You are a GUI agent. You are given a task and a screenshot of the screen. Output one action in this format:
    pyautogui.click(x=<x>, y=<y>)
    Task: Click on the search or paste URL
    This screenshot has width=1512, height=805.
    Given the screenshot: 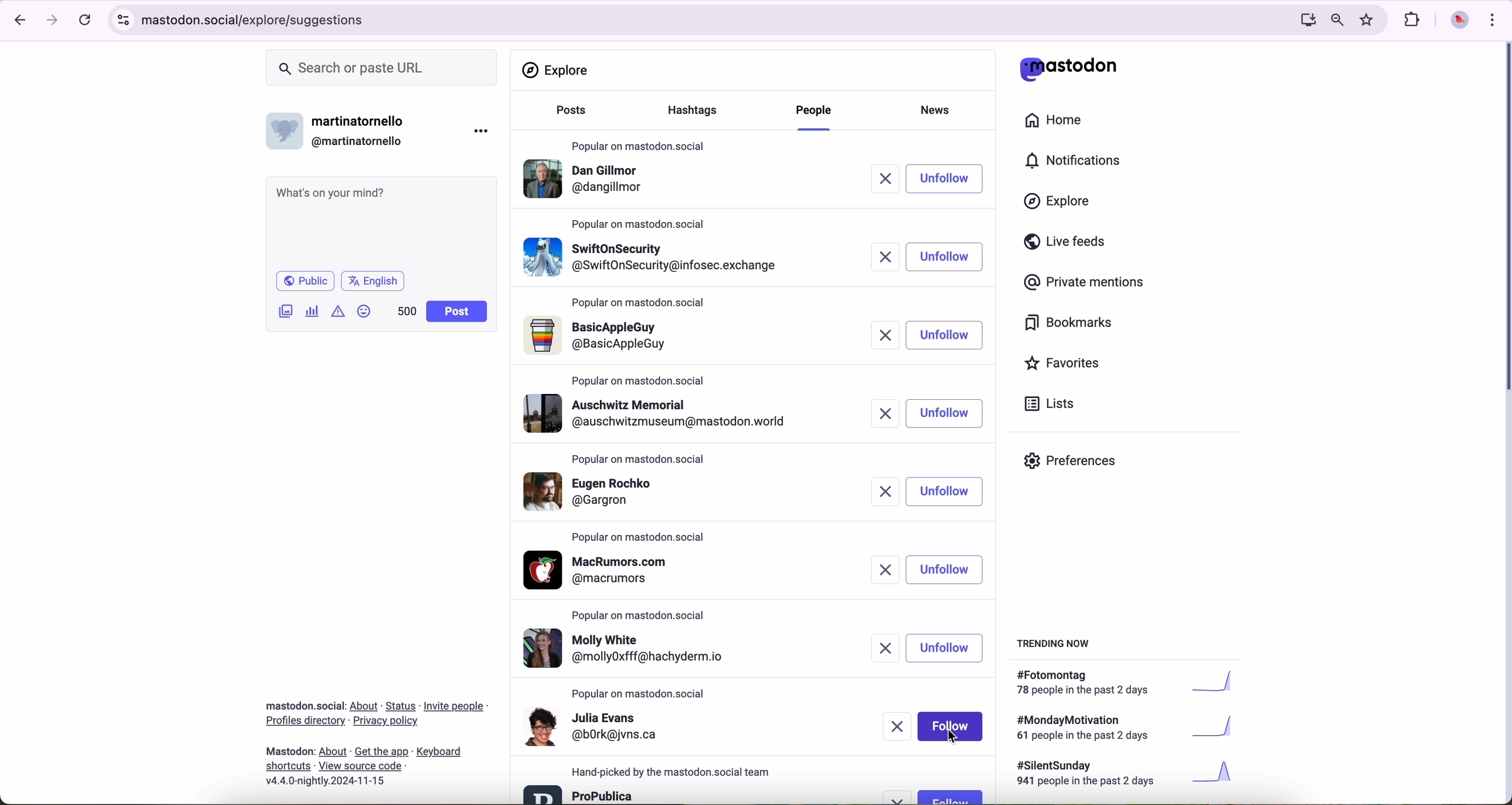 What is the action you would take?
    pyautogui.click(x=382, y=68)
    